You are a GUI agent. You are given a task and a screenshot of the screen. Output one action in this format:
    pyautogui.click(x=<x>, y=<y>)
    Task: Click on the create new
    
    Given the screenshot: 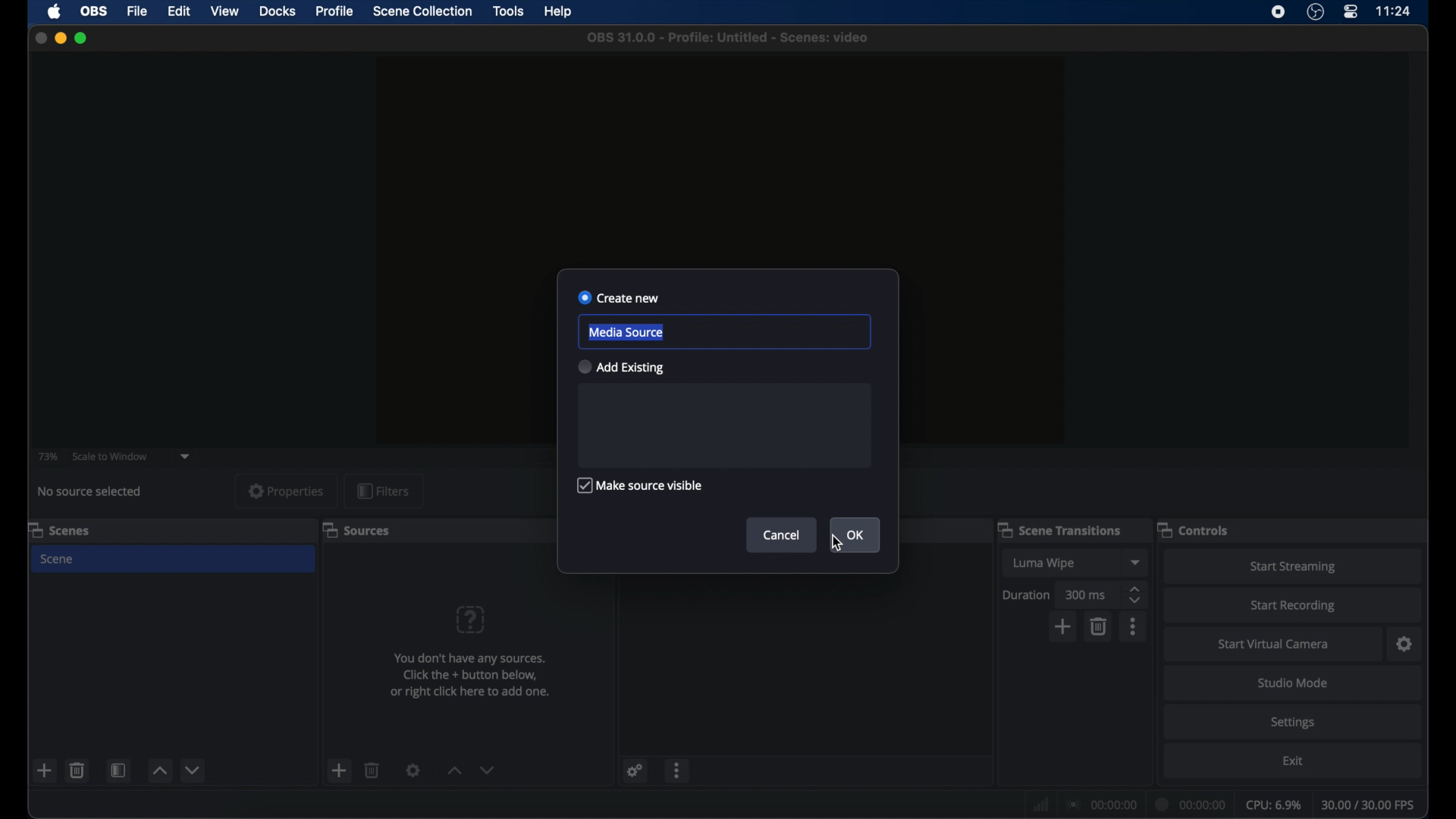 What is the action you would take?
    pyautogui.click(x=618, y=297)
    